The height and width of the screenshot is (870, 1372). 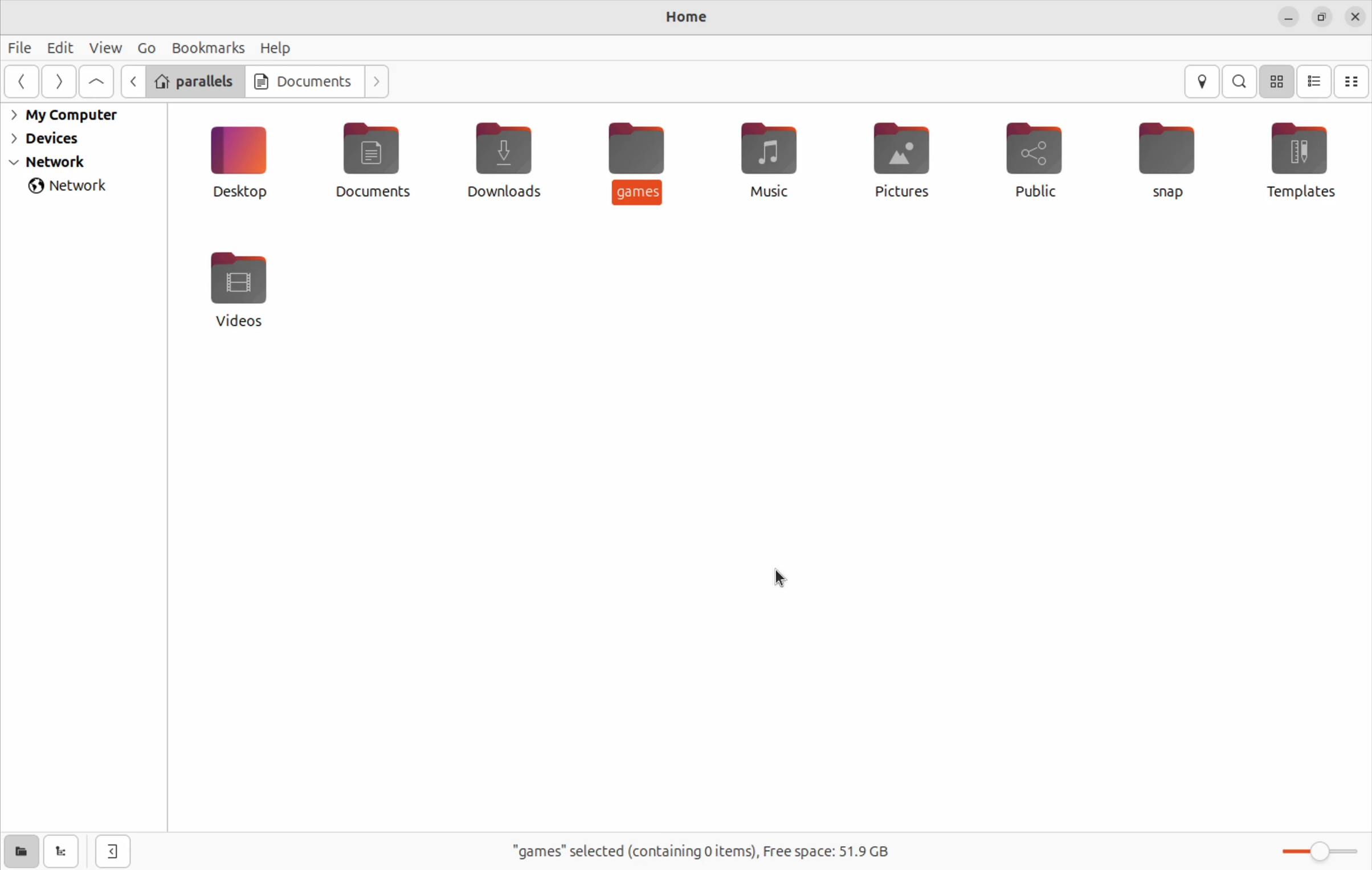 I want to click on My computer, so click(x=71, y=116).